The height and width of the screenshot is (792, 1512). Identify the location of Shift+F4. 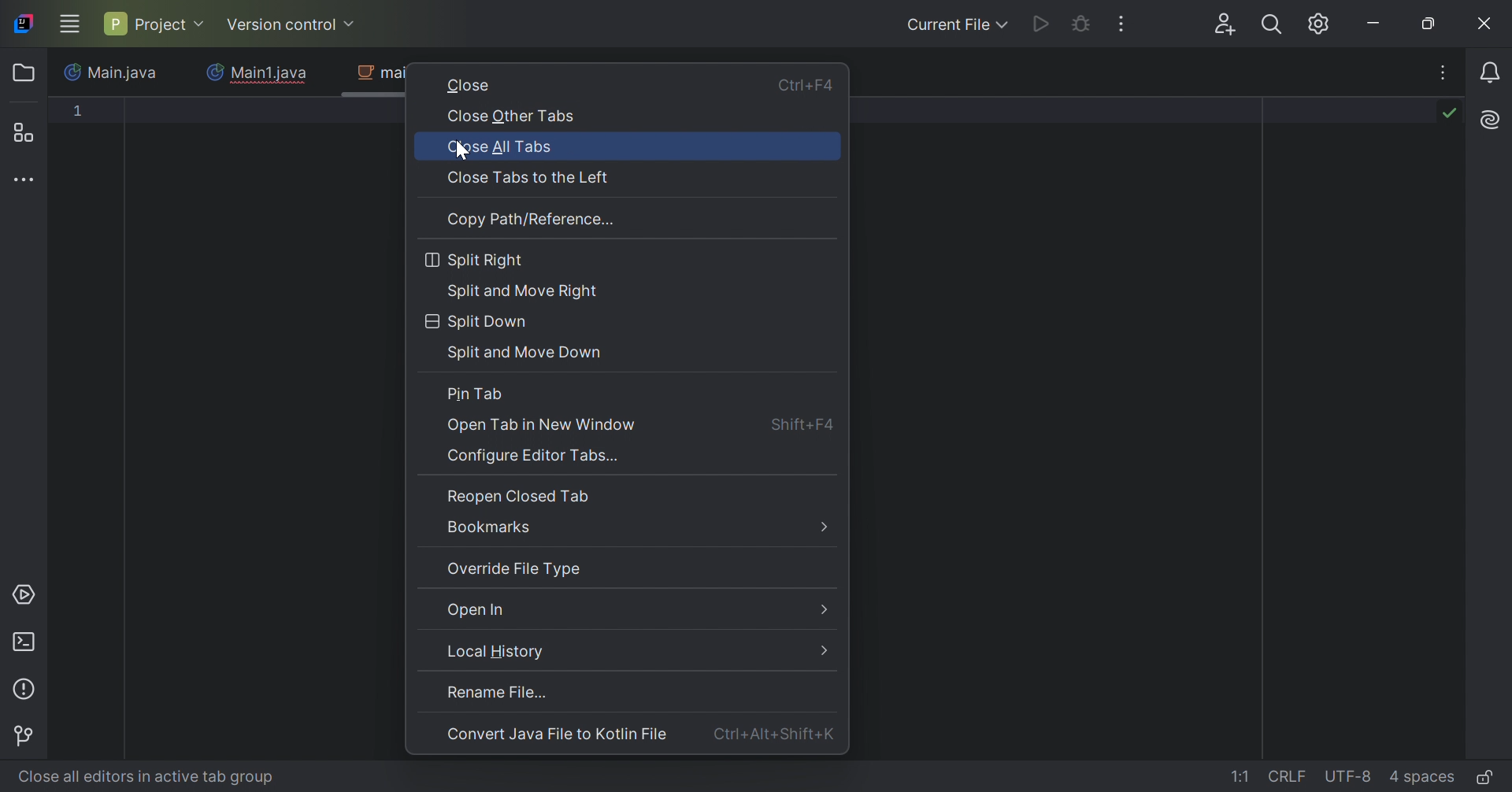
(802, 424).